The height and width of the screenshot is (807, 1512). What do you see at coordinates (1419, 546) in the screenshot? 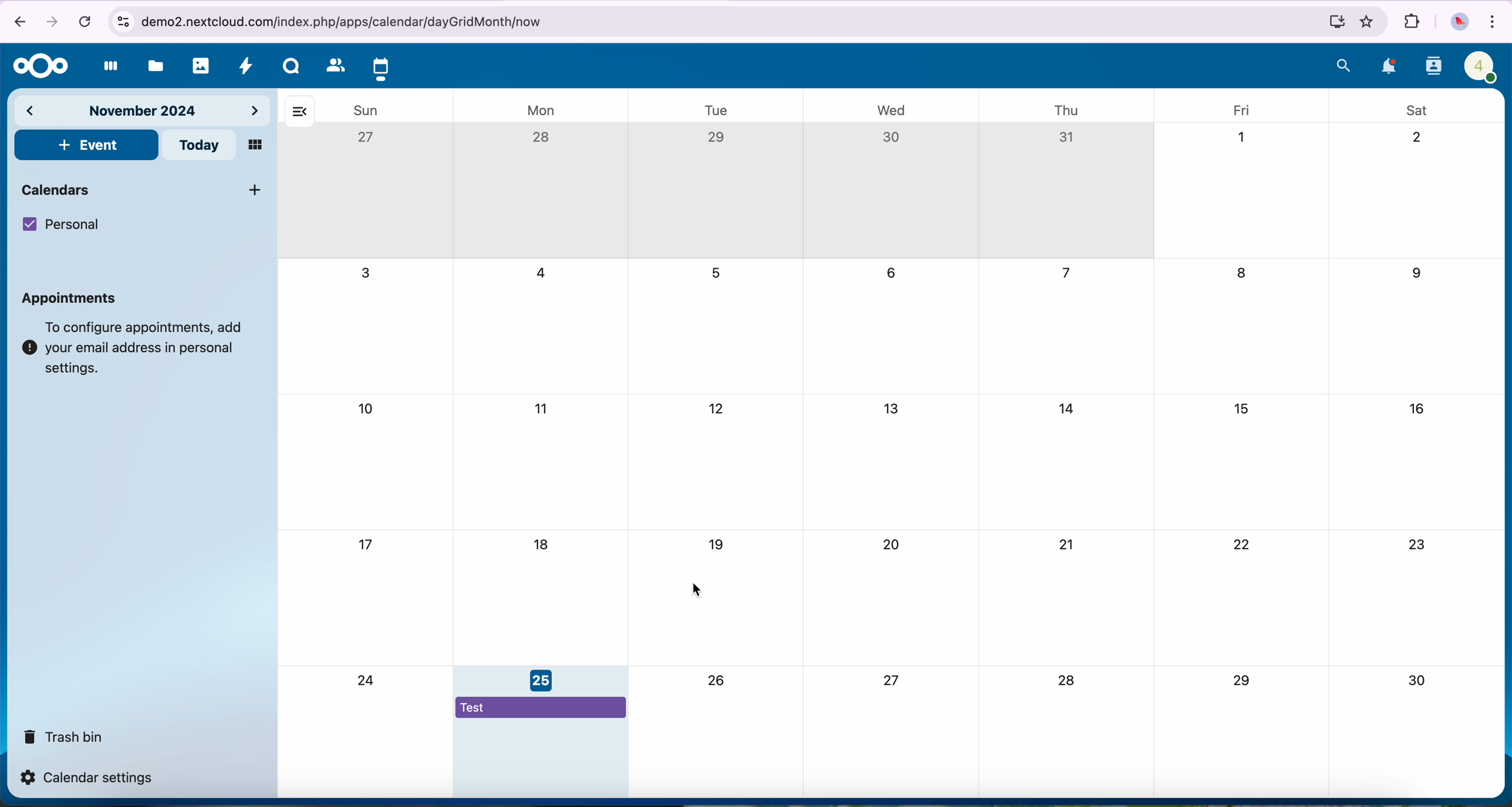
I see `23` at bounding box center [1419, 546].